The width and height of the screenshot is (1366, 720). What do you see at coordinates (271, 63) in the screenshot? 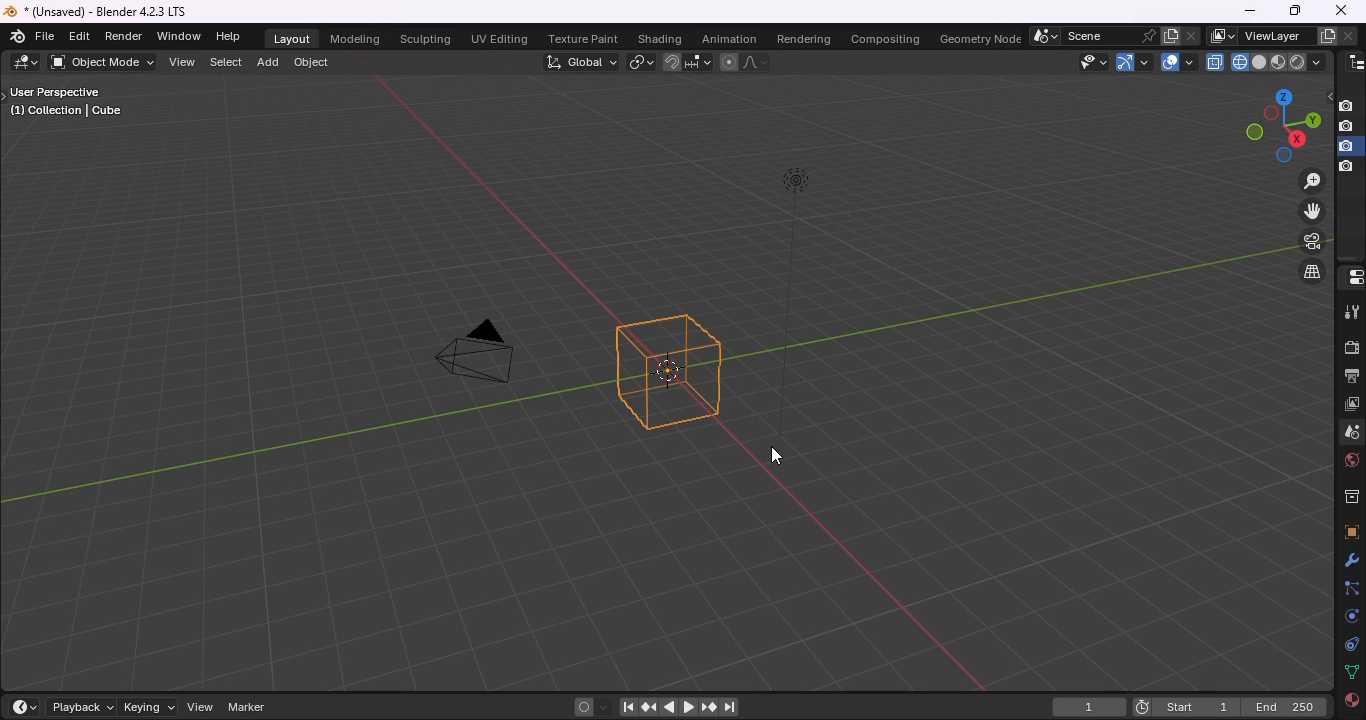
I see `add` at bounding box center [271, 63].